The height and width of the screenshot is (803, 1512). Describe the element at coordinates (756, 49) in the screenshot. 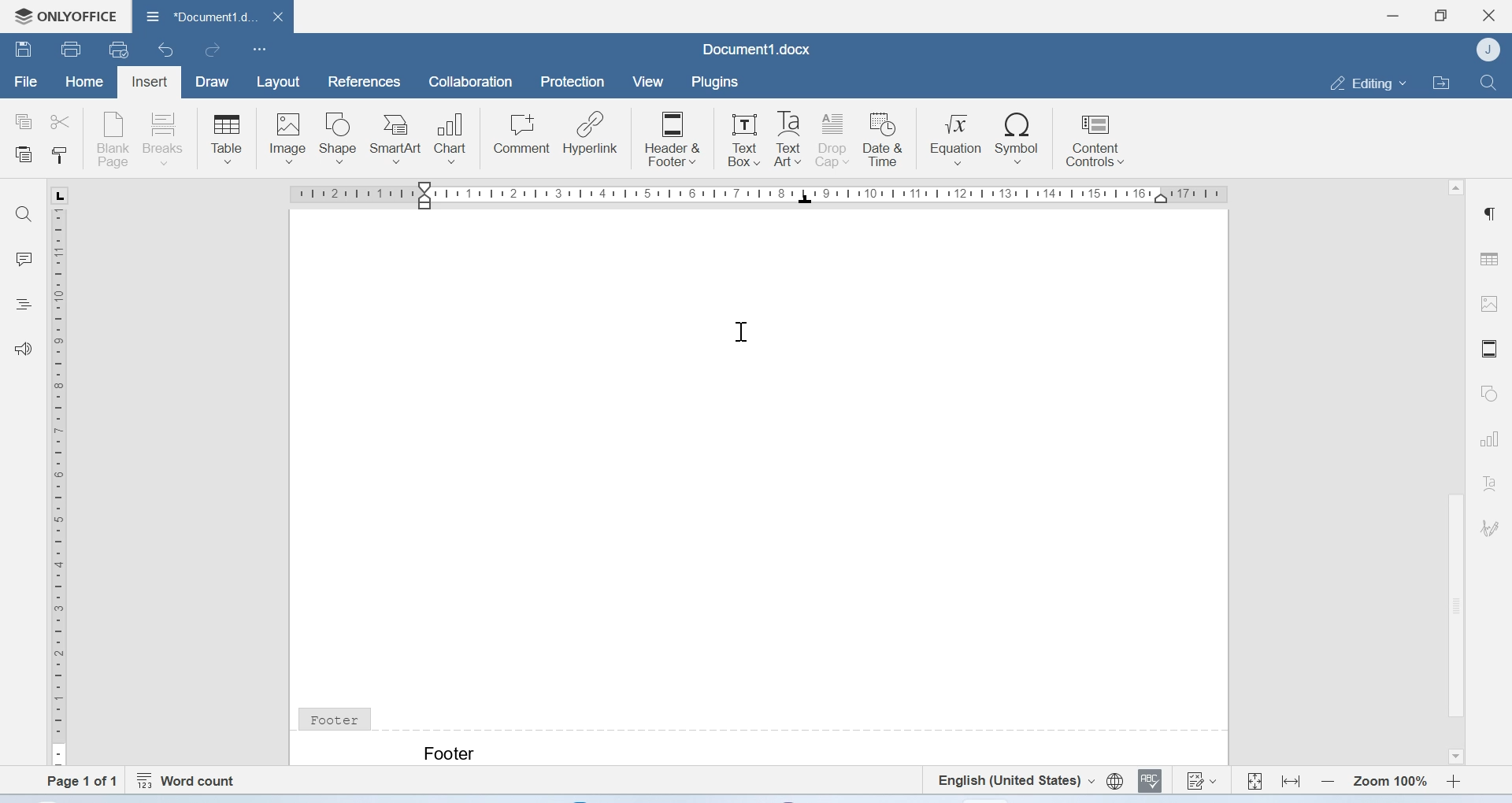

I see `Document1.docx` at that location.